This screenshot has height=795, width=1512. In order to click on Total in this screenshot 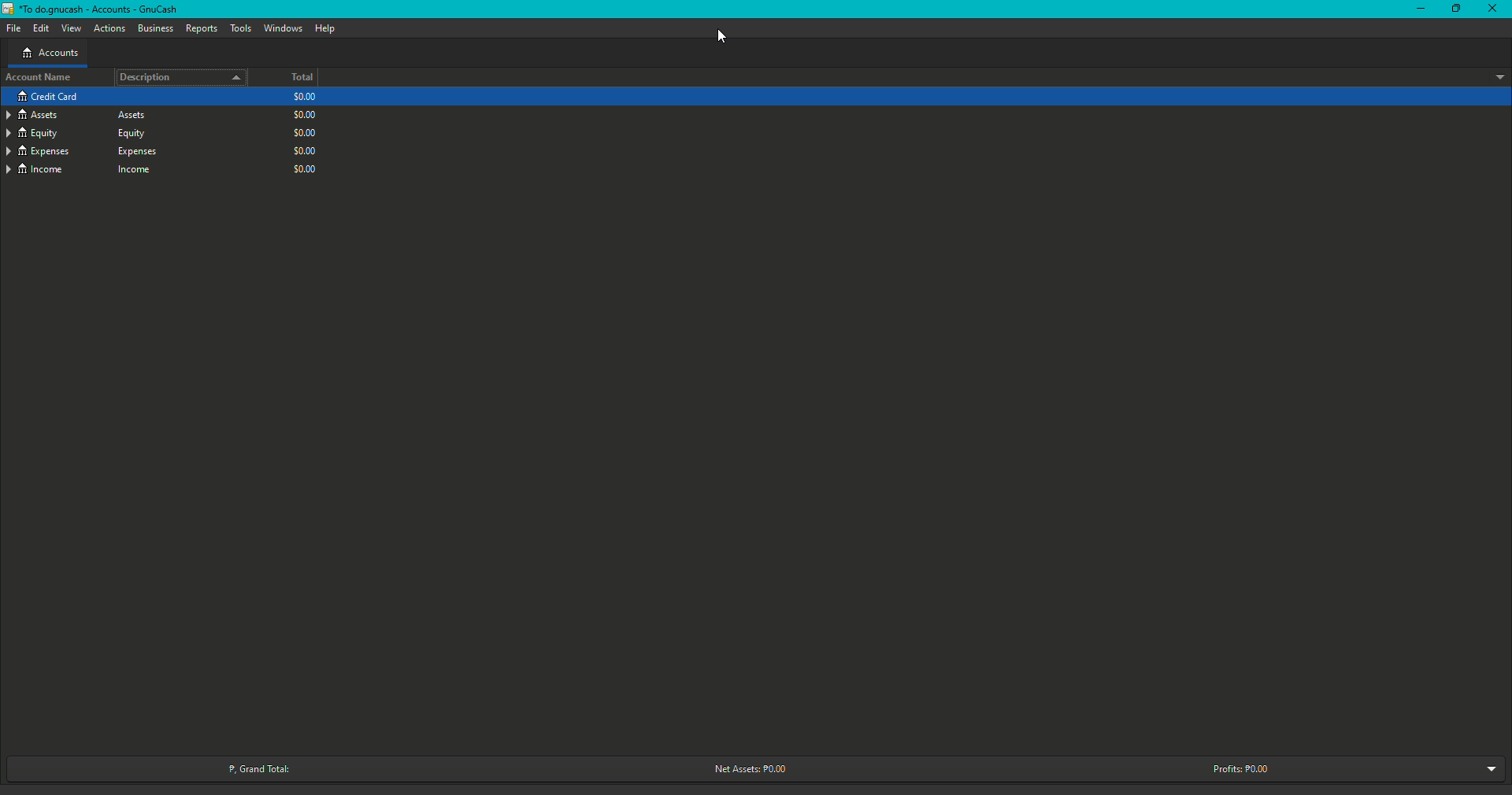, I will do `click(293, 77)`.